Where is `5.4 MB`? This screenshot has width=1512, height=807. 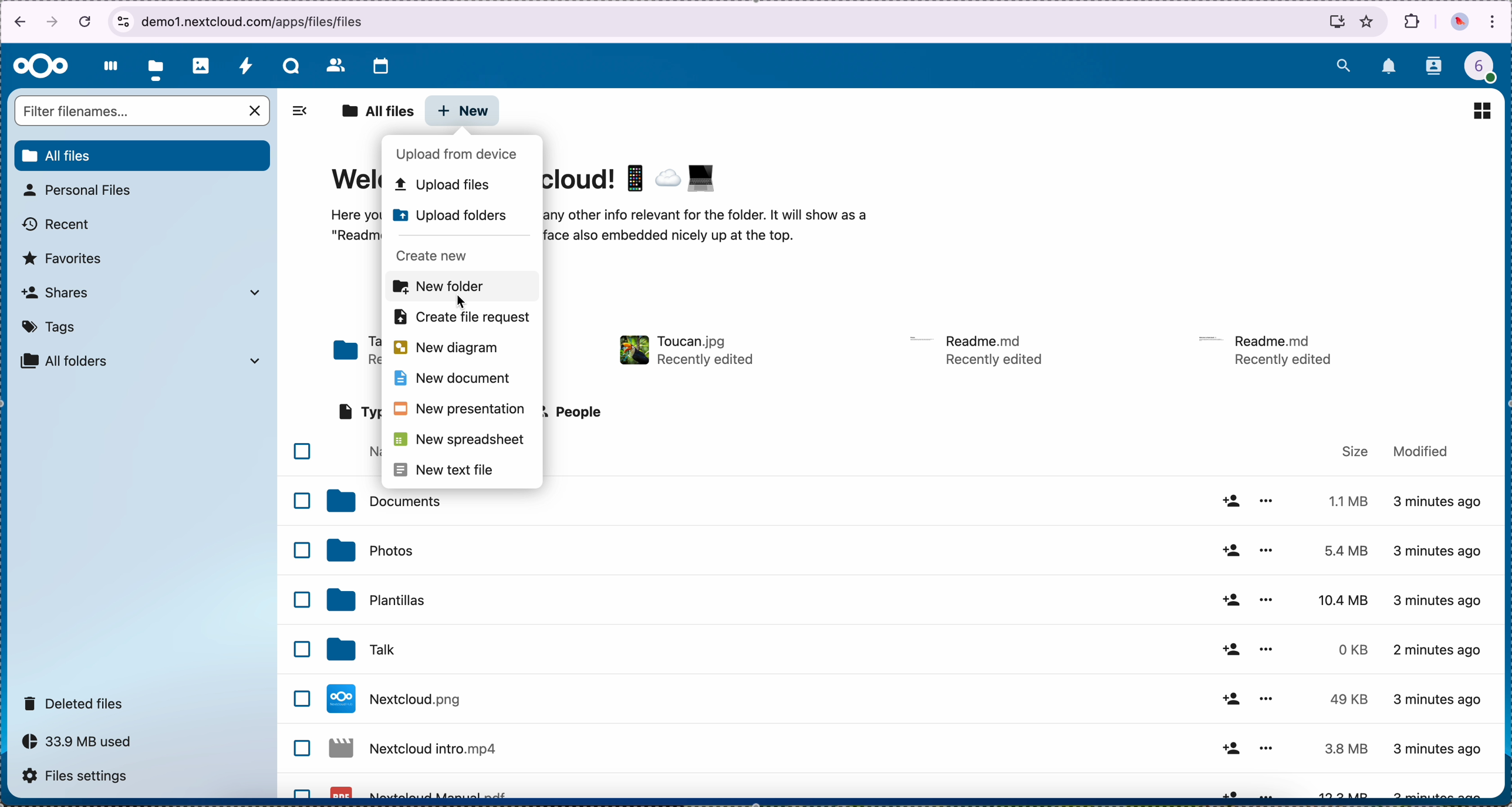 5.4 MB is located at coordinates (1337, 551).